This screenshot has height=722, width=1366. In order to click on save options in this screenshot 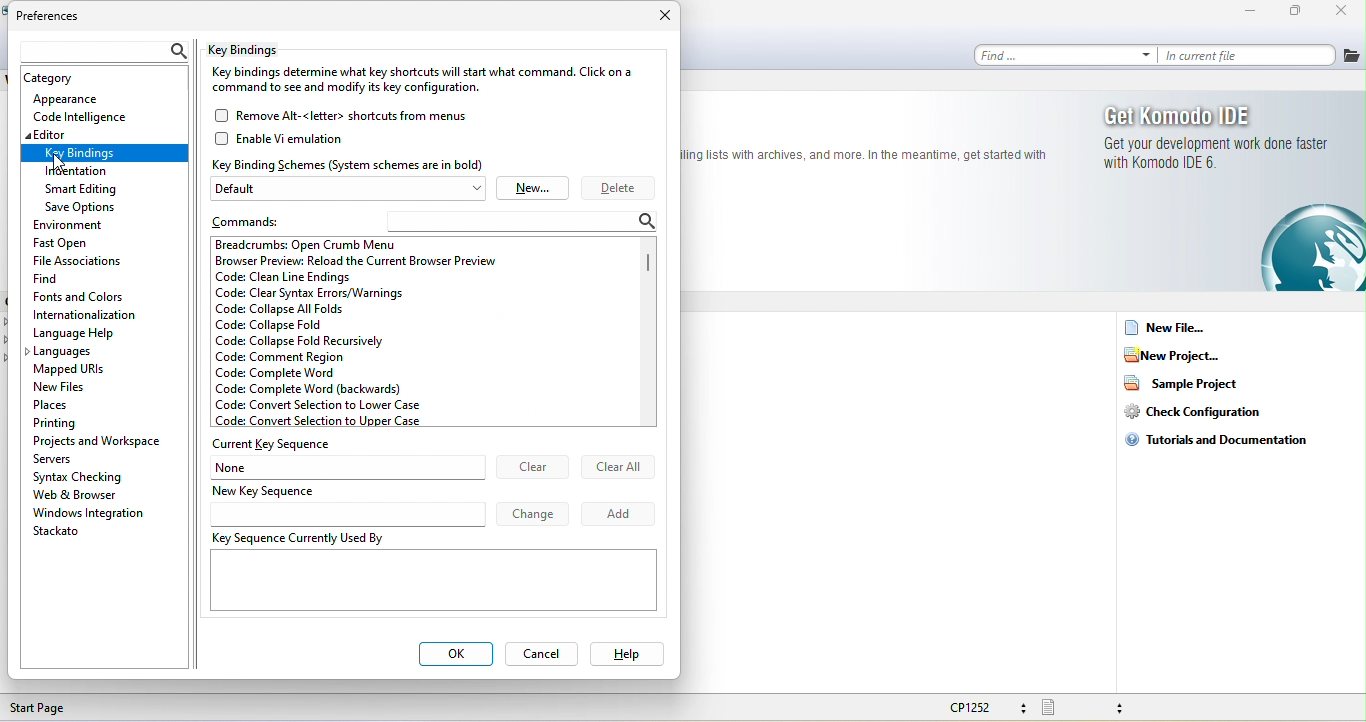, I will do `click(81, 208)`.